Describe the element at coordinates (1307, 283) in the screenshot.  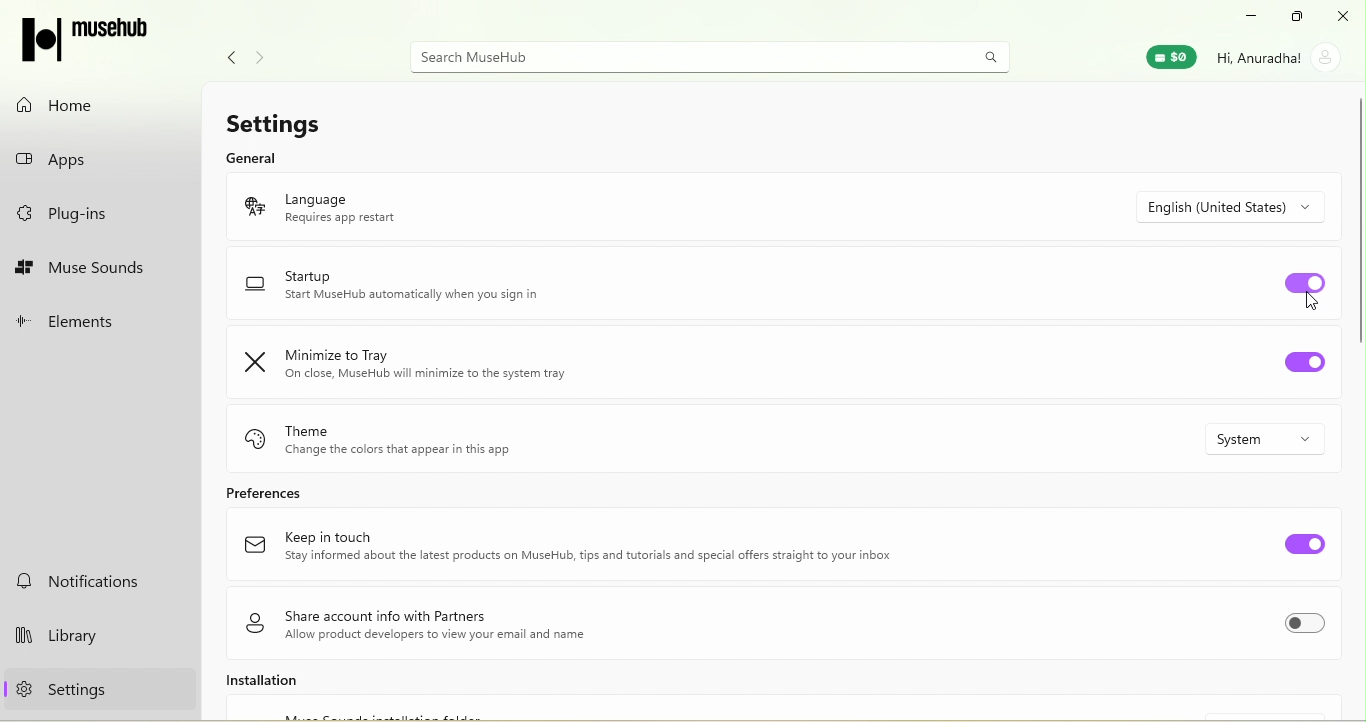
I see `Toggle` at that location.